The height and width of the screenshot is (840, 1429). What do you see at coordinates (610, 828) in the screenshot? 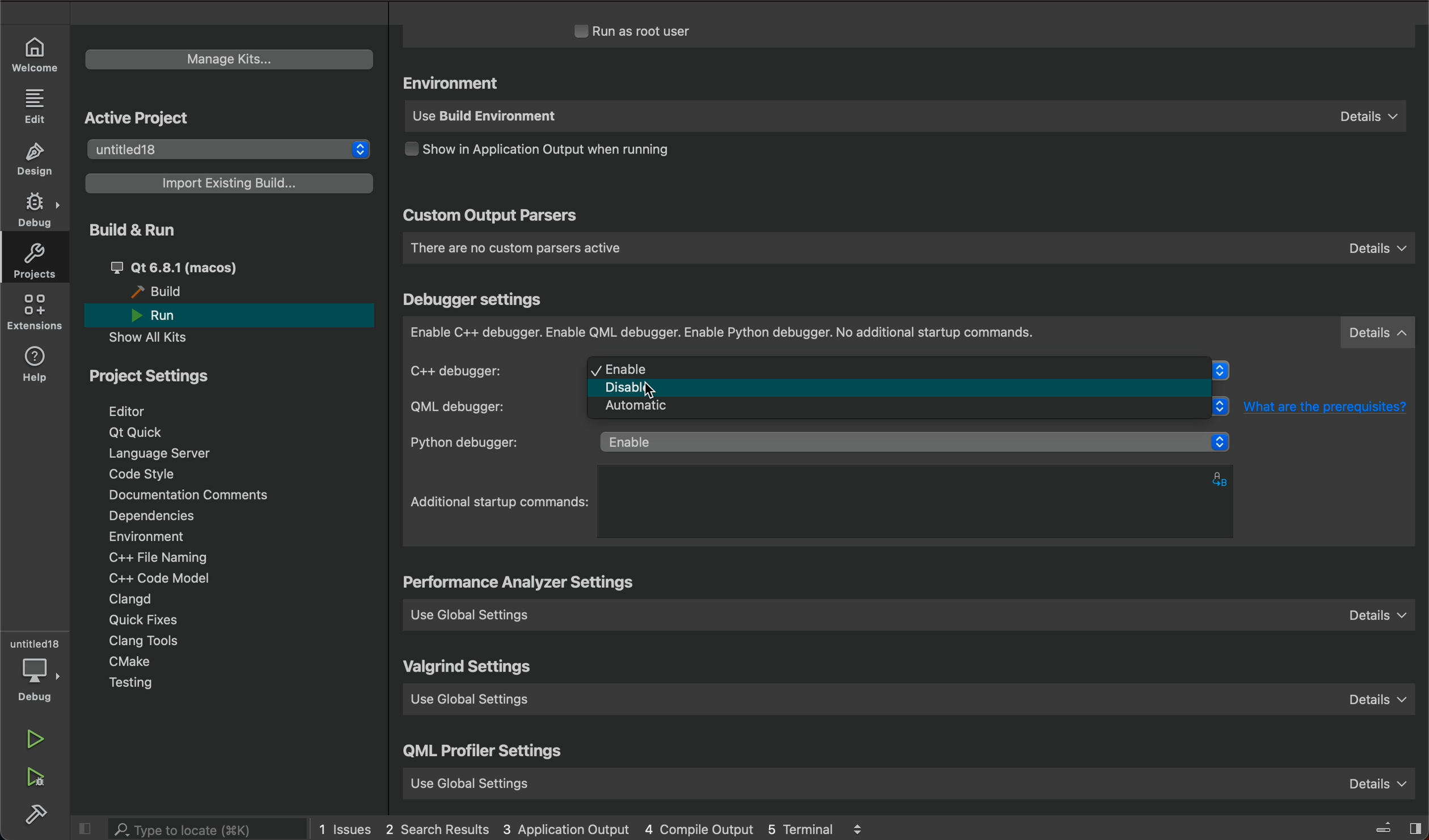
I see `logs` at bounding box center [610, 828].